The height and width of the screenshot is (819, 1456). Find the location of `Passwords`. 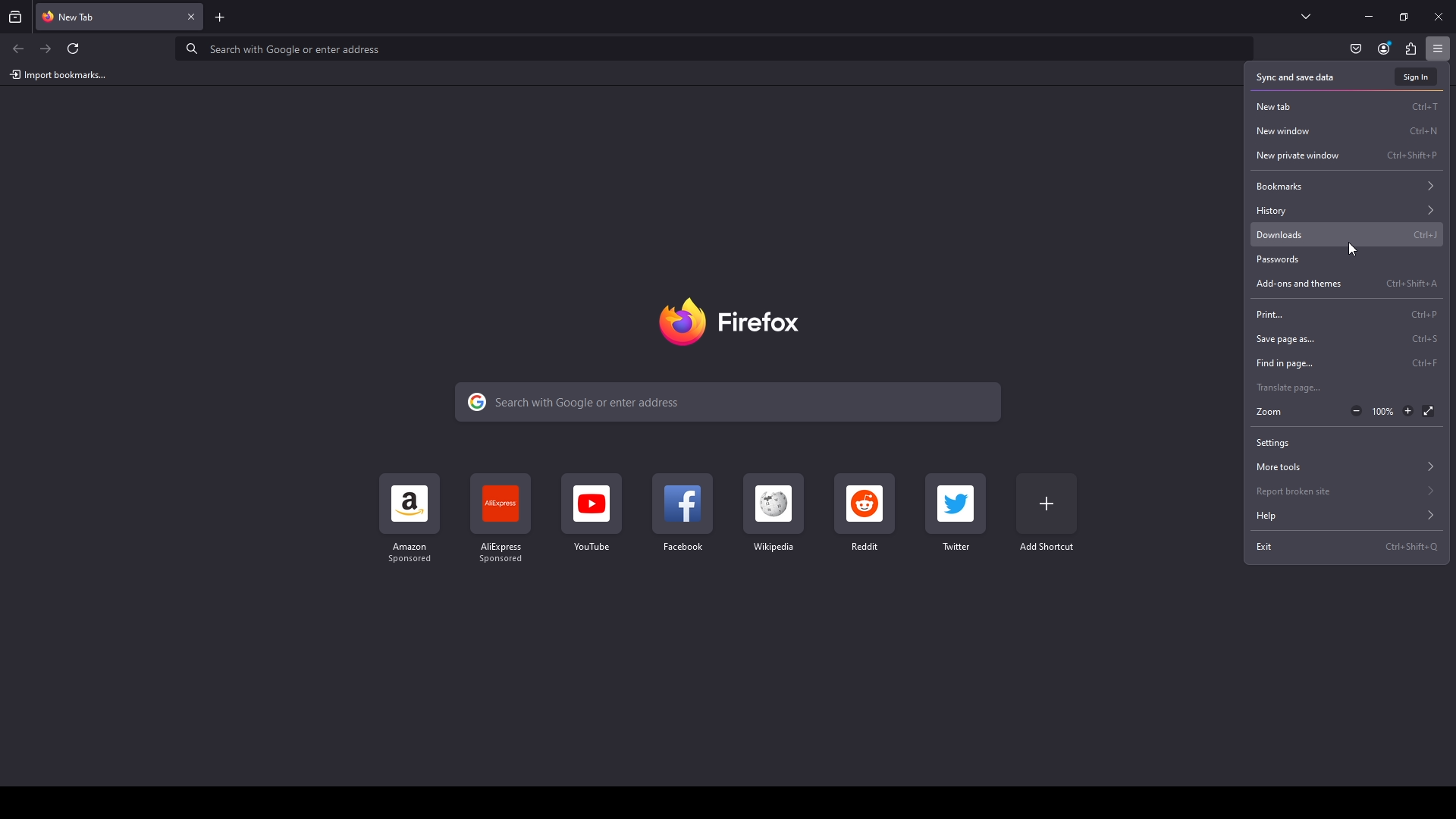

Passwords is located at coordinates (1347, 259).